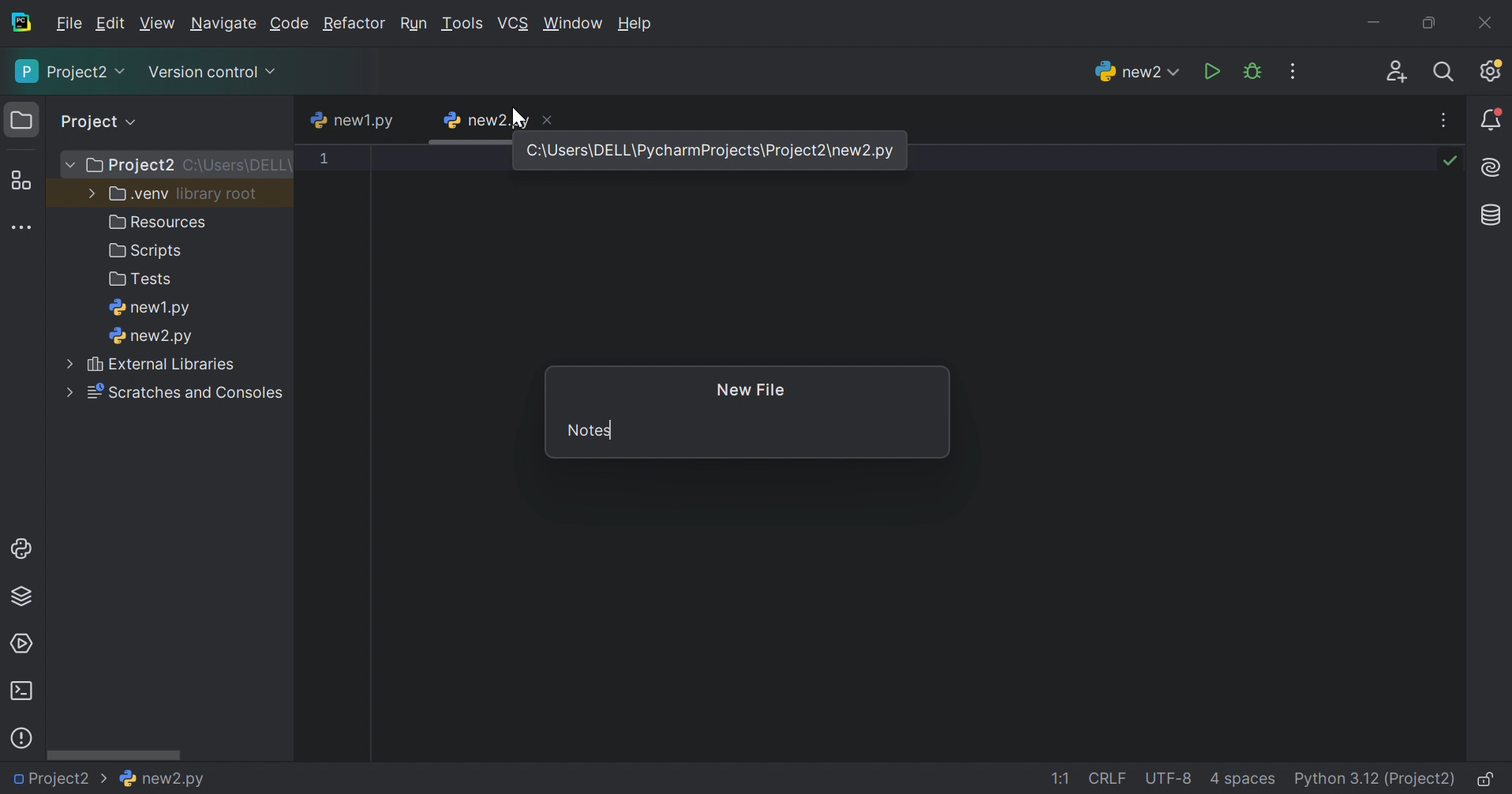 The width and height of the screenshot is (1512, 794). What do you see at coordinates (187, 394) in the screenshot?
I see `Scratches and consoles` at bounding box center [187, 394].